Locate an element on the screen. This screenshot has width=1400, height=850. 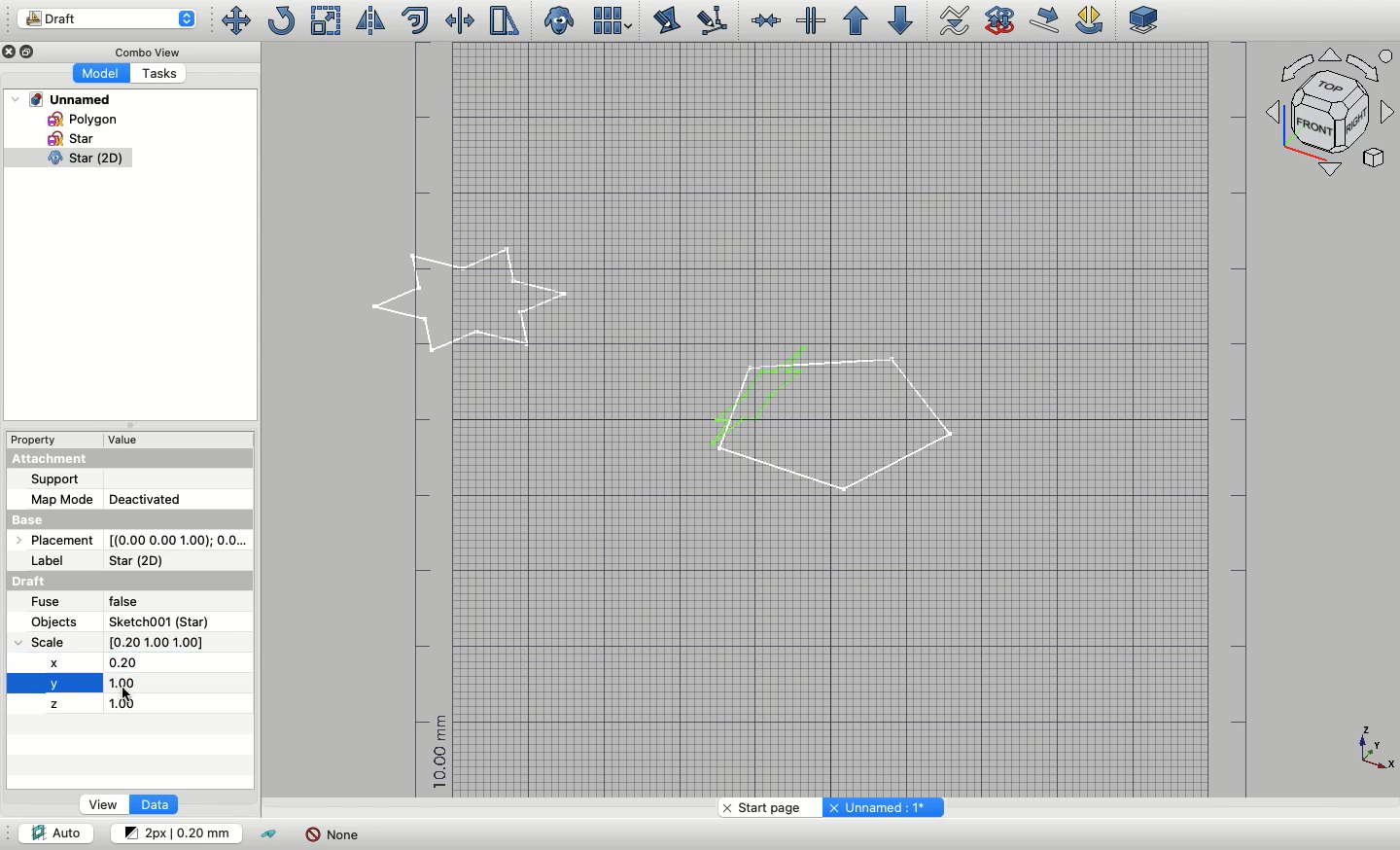
Draft rotate is located at coordinates (1090, 21).